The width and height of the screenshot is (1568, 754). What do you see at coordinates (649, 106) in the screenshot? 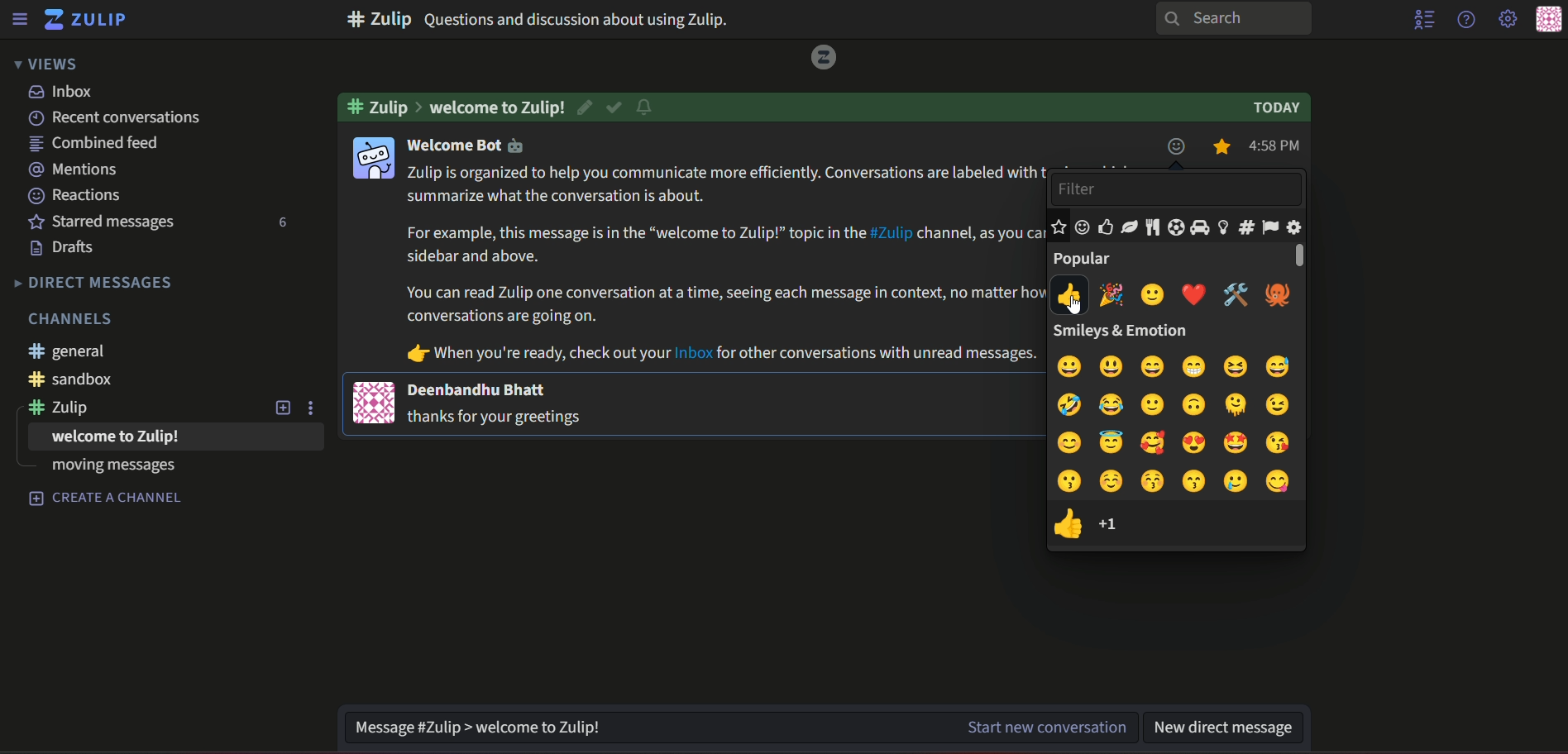
I see `notification` at bounding box center [649, 106].